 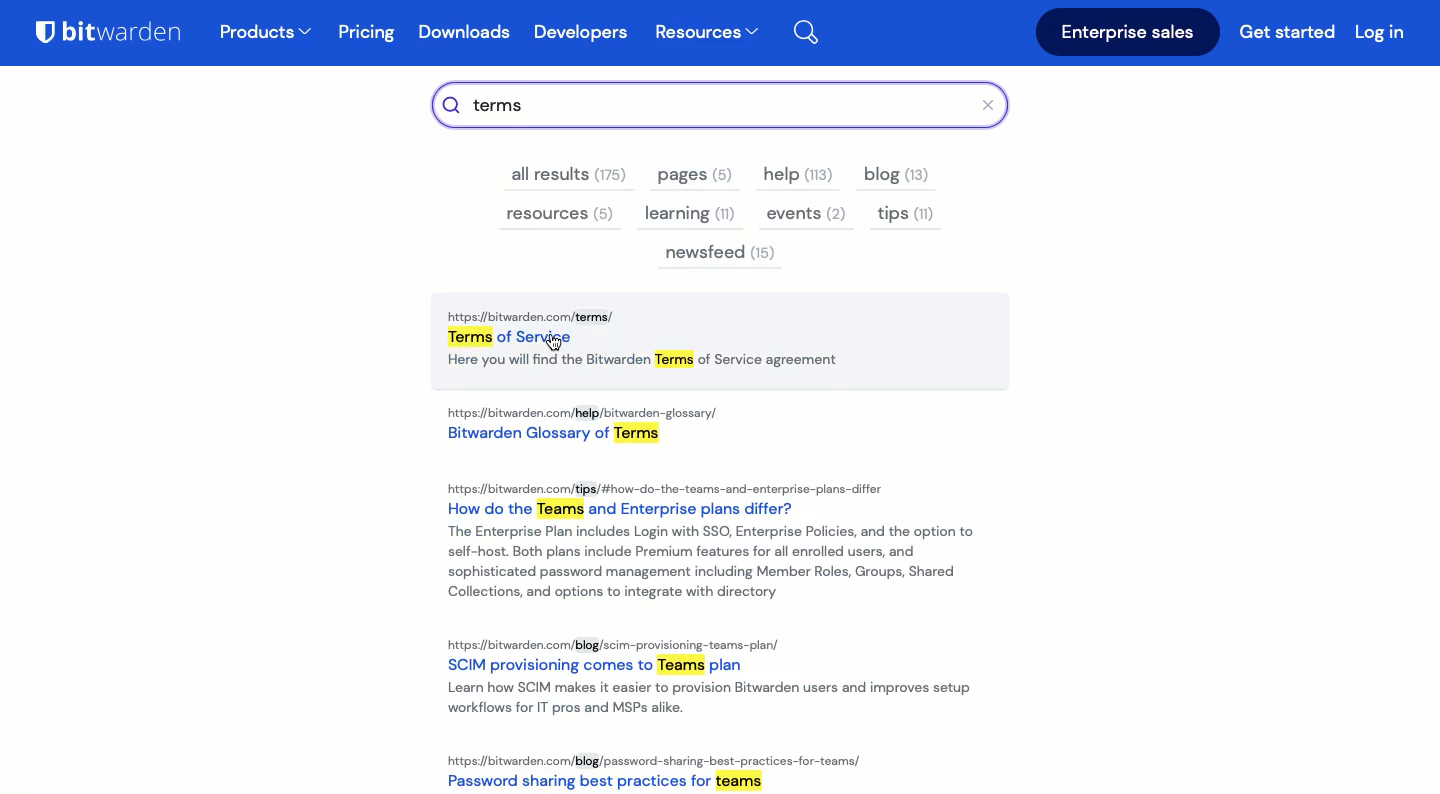 What do you see at coordinates (817, 29) in the screenshot?
I see `Search` at bounding box center [817, 29].